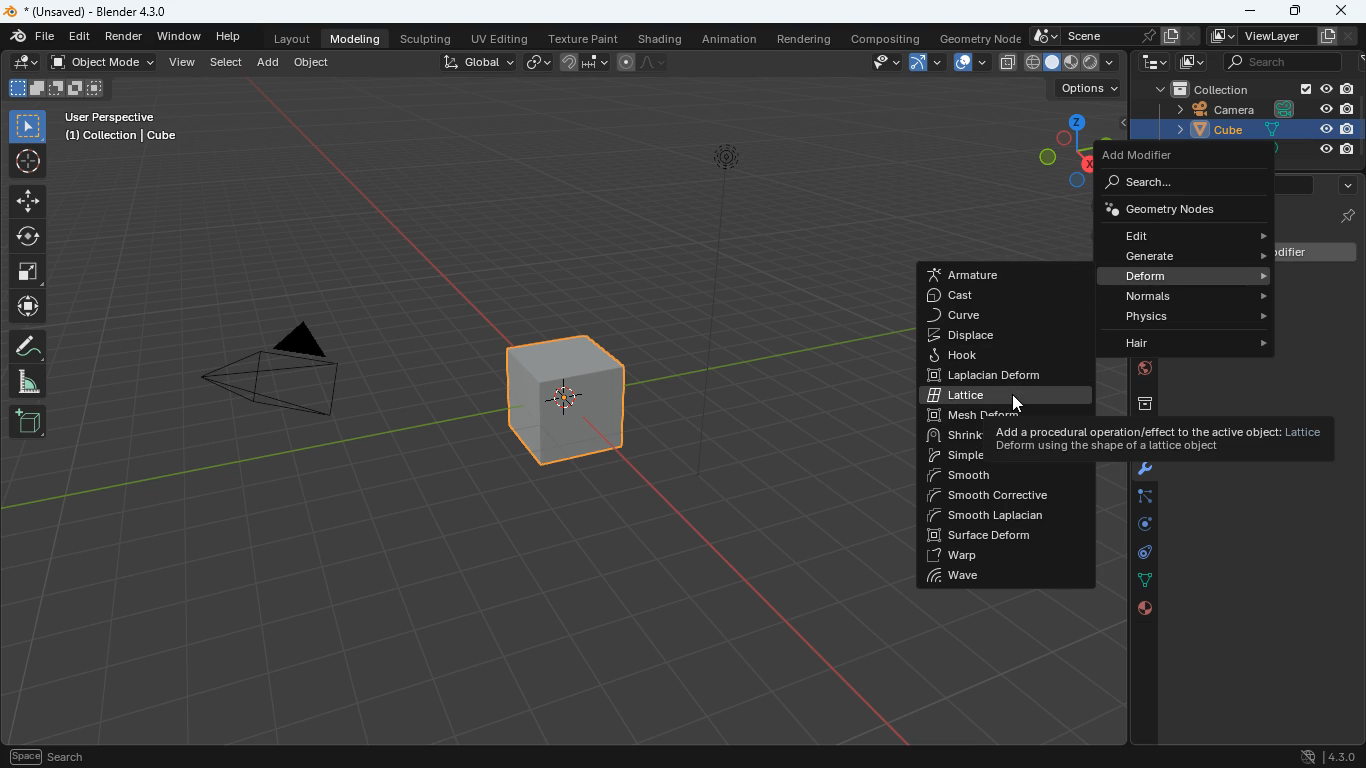 The image size is (1366, 768). What do you see at coordinates (581, 36) in the screenshot?
I see `texture paint` at bounding box center [581, 36].